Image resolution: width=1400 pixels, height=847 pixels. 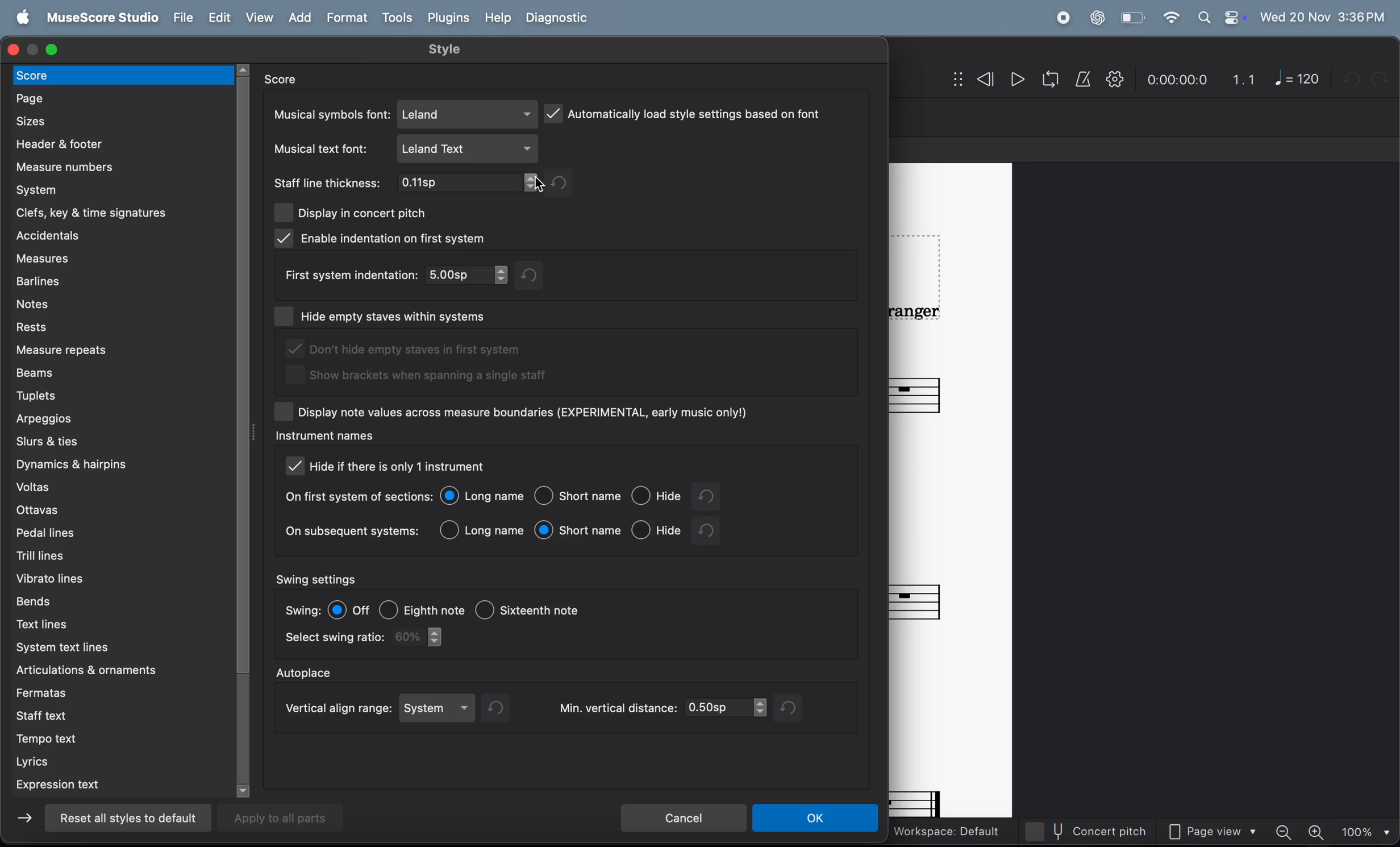 What do you see at coordinates (973, 81) in the screenshot?
I see `rewind` at bounding box center [973, 81].